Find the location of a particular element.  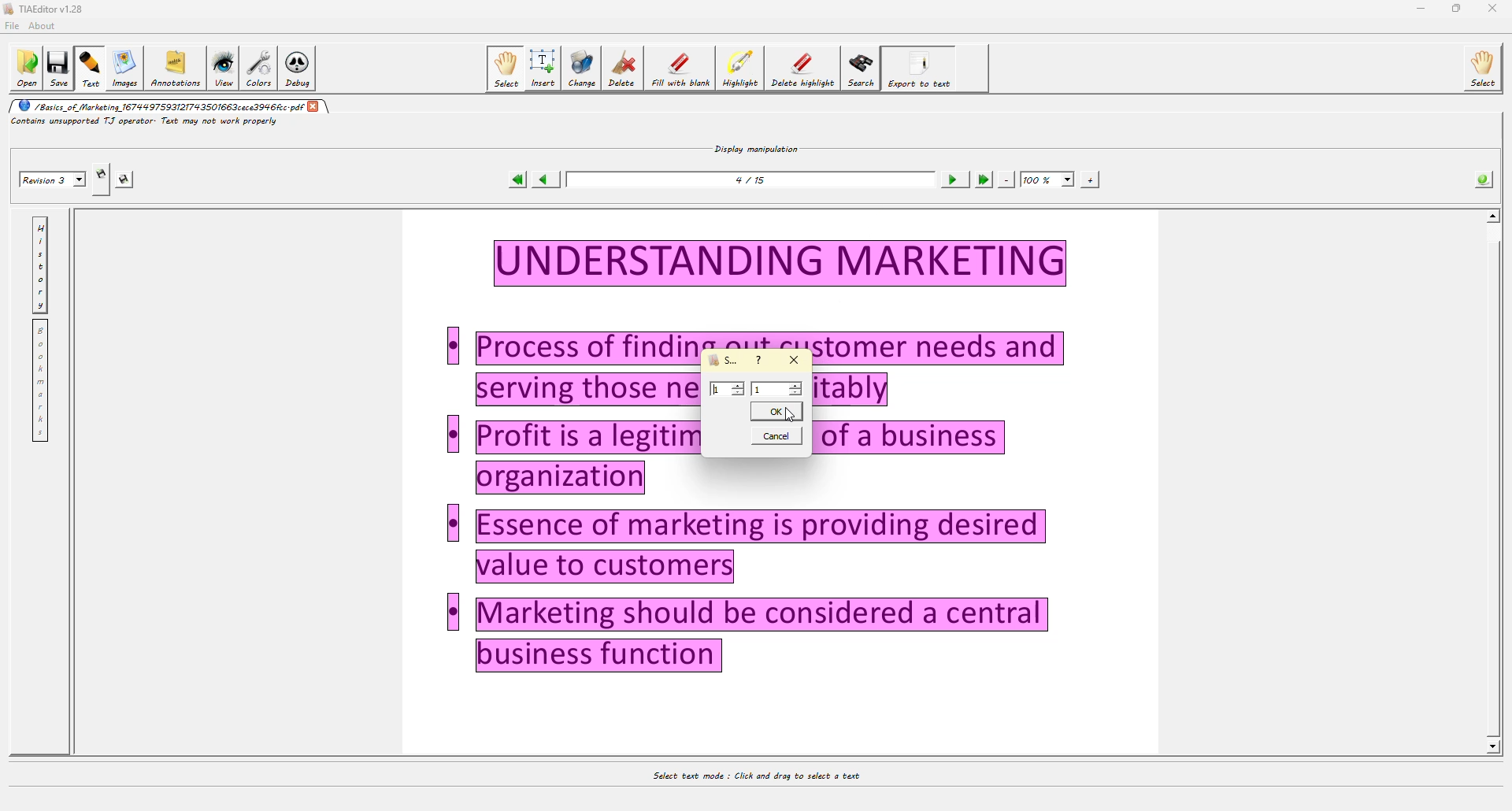

scroll up is located at coordinates (1494, 215).